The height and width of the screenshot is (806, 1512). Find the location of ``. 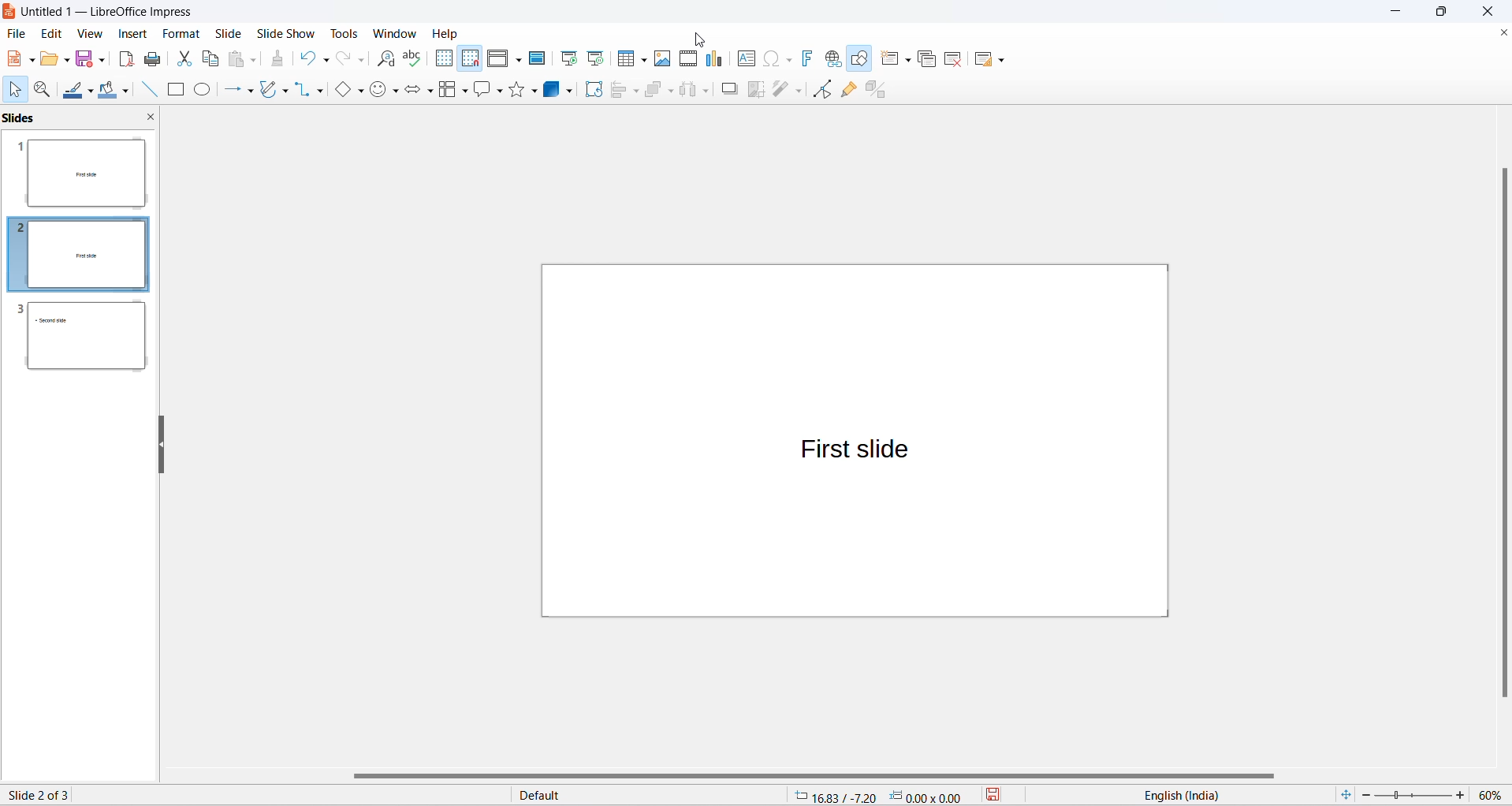

 is located at coordinates (15, 91).